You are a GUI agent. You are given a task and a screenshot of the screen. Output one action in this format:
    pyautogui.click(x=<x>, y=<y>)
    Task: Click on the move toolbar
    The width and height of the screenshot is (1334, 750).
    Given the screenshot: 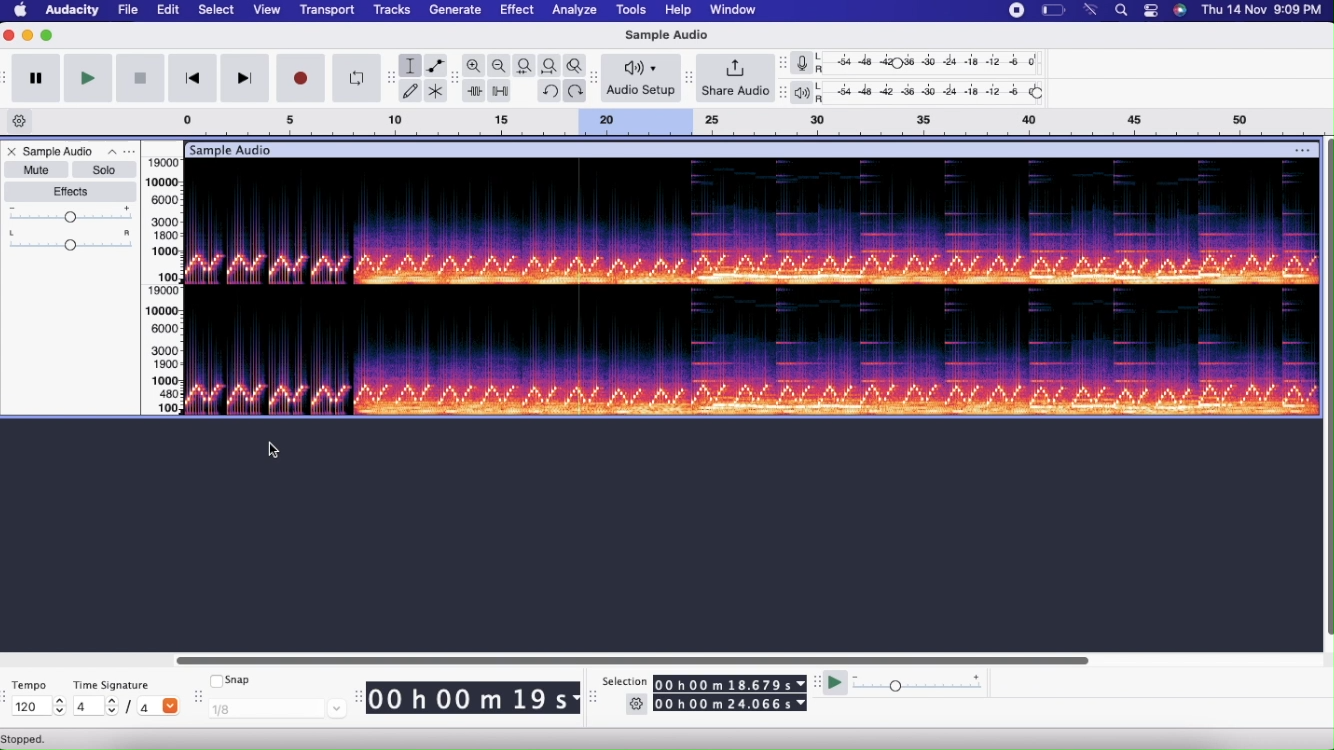 What is the action you would take?
    pyautogui.click(x=591, y=696)
    